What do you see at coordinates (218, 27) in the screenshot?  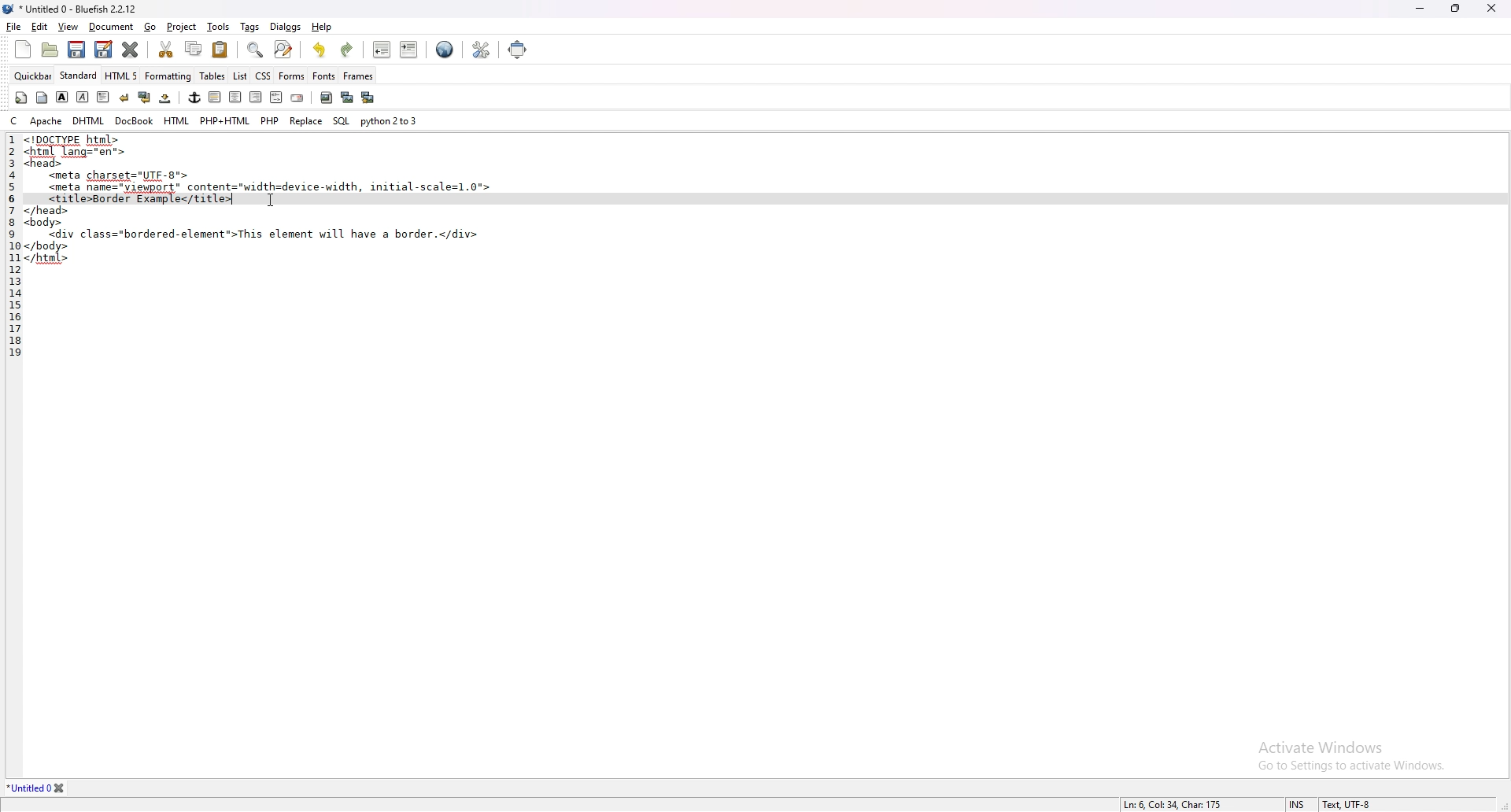 I see `tools` at bounding box center [218, 27].